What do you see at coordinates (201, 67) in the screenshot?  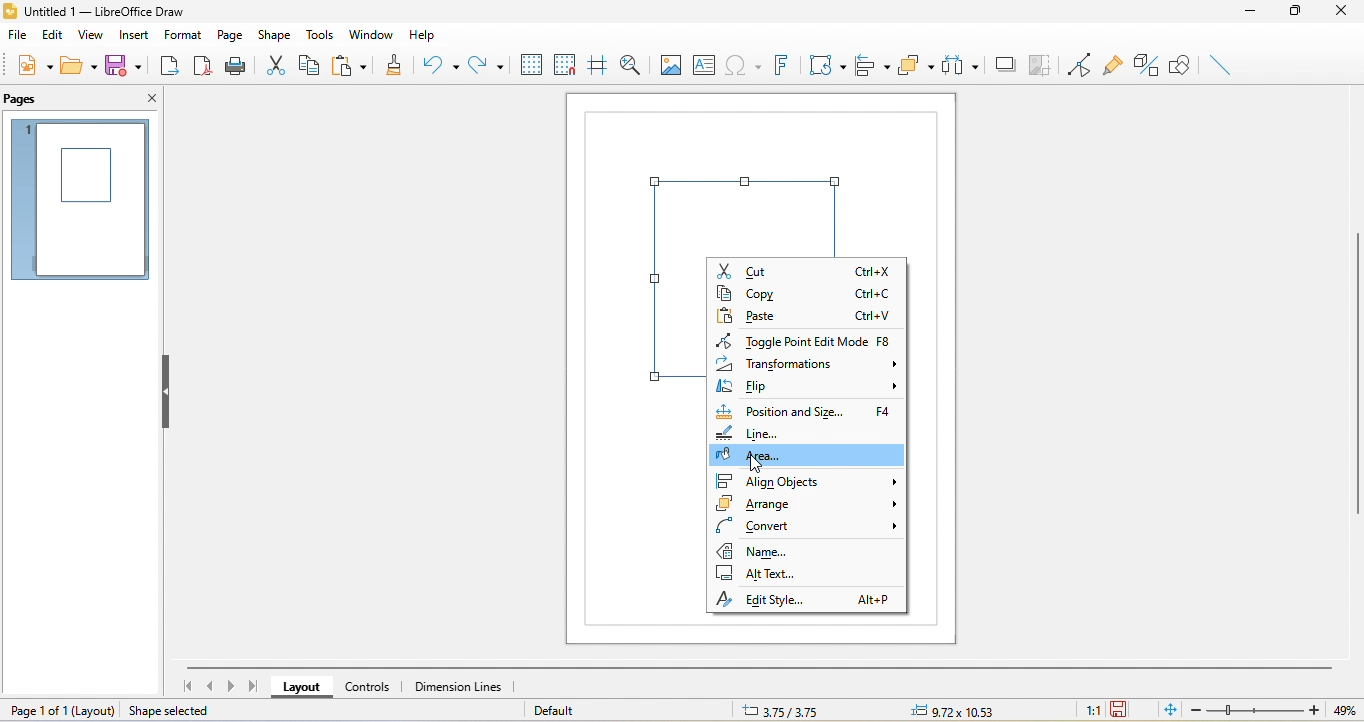 I see `export directly as pdf` at bounding box center [201, 67].